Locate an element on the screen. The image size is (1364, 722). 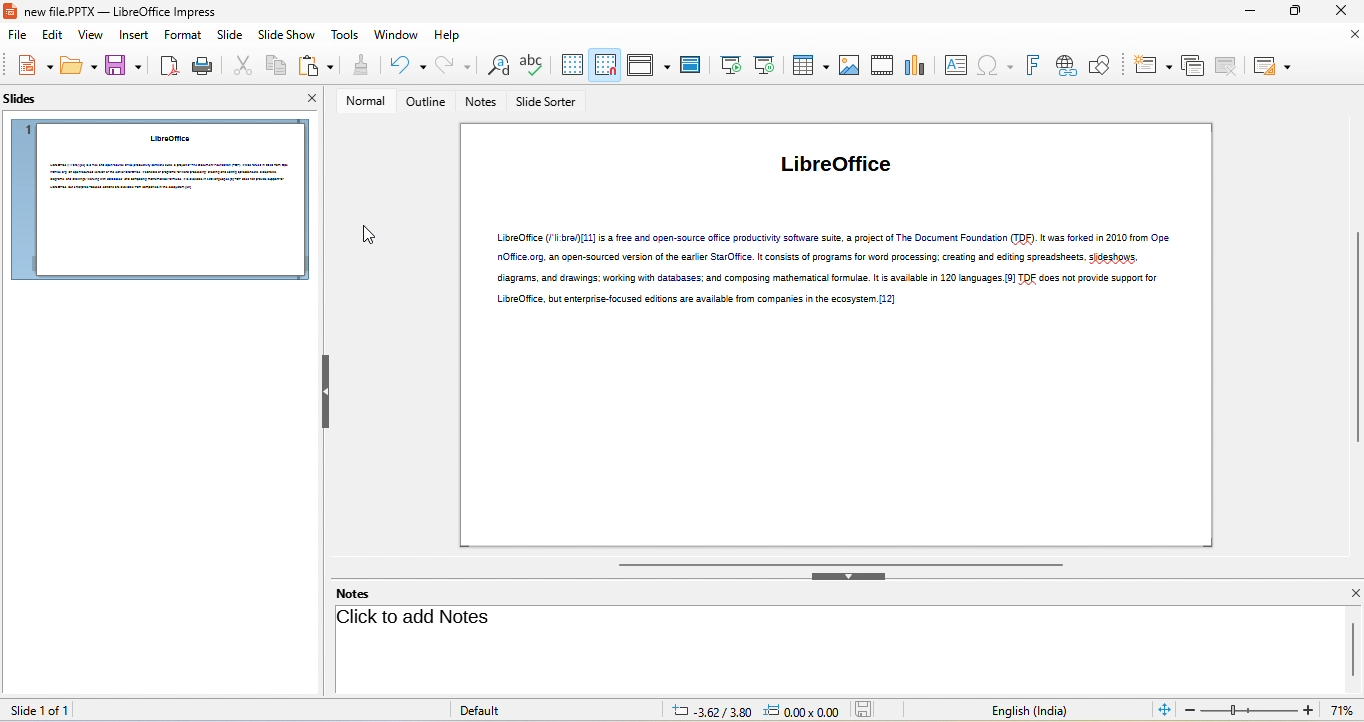
outline is located at coordinates (425, 102).